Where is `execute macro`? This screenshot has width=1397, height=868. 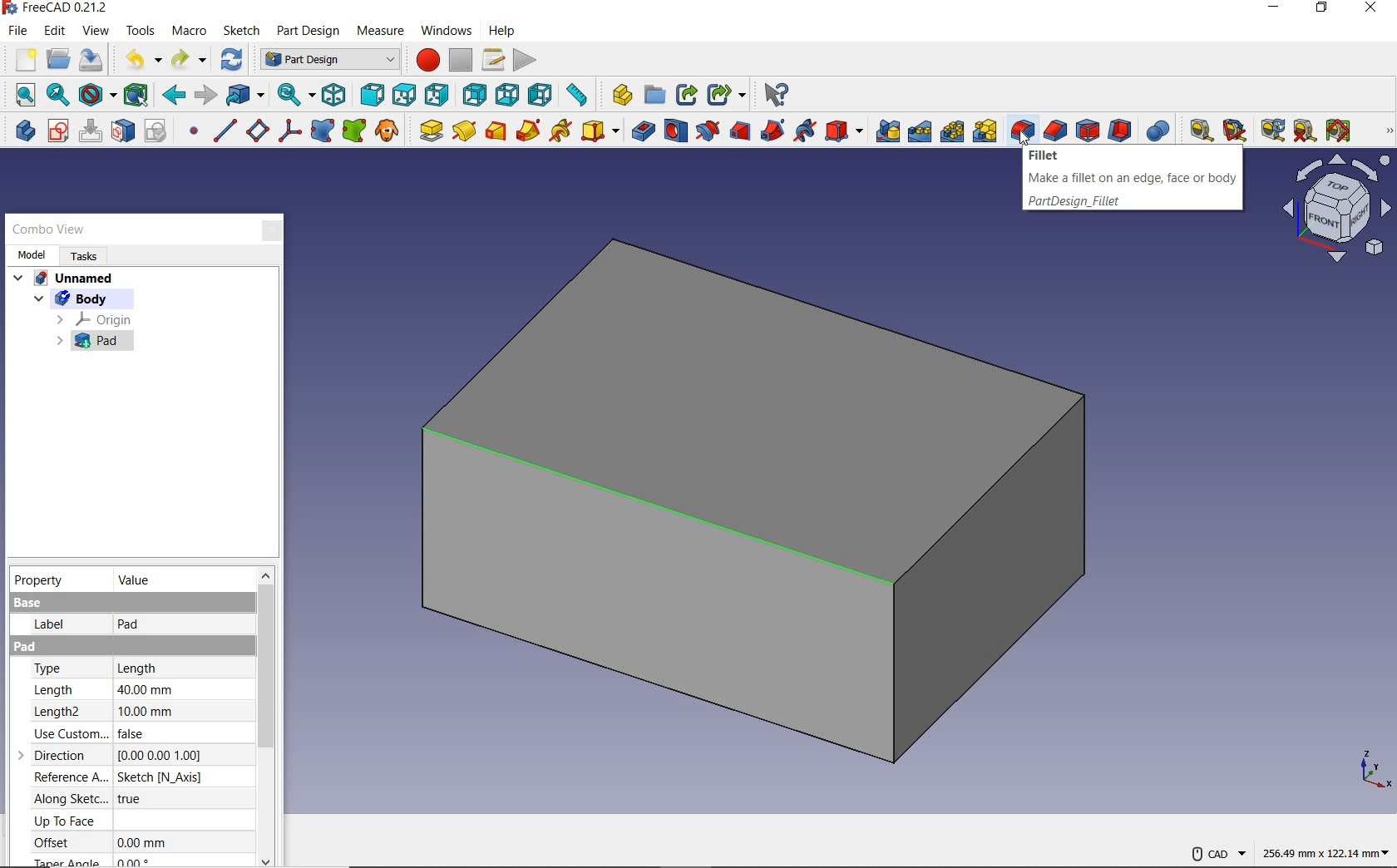 execute macro is located at coordinates (526, 60).